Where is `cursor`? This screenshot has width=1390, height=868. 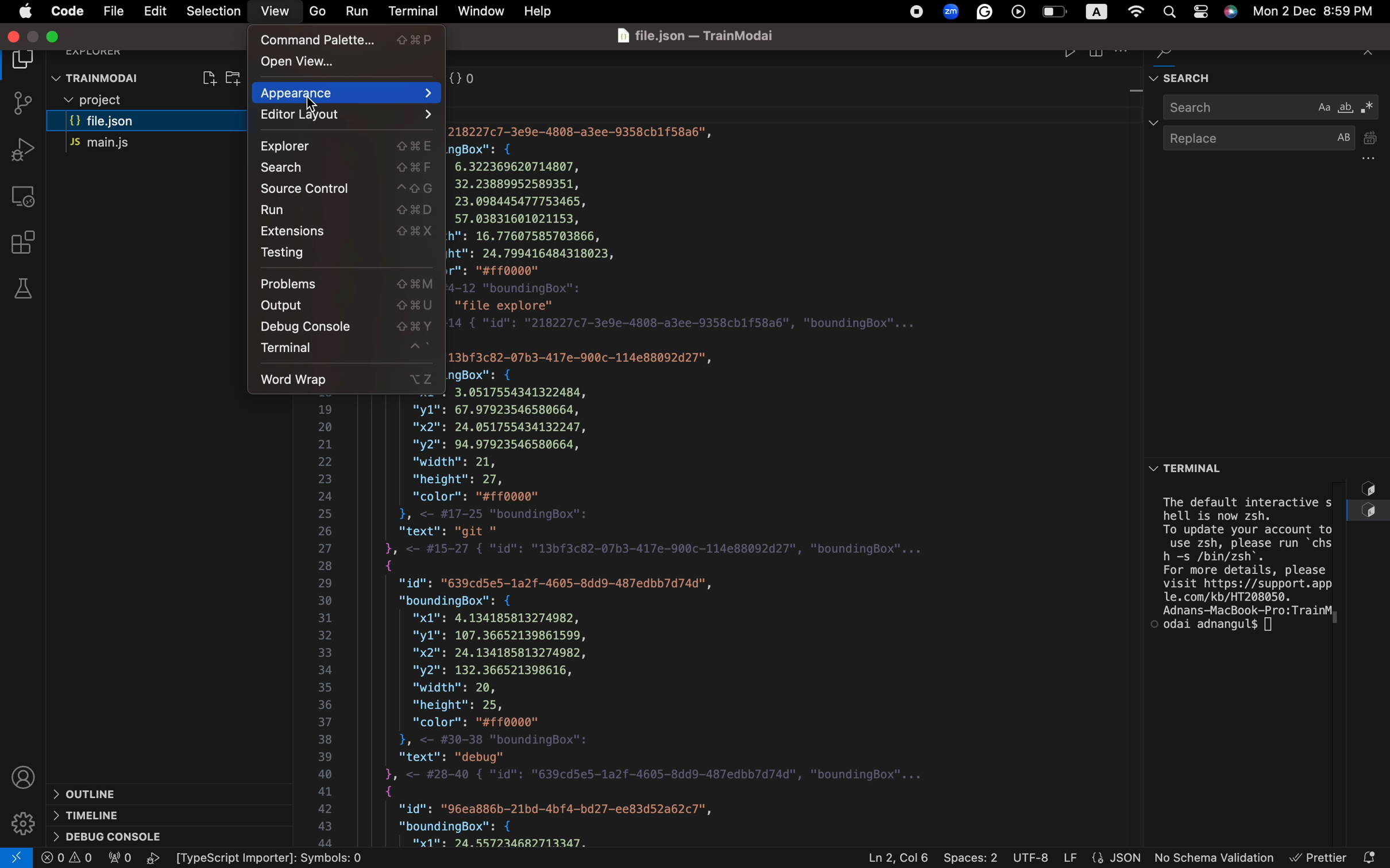
cursor is located at coordinates (316, 109).